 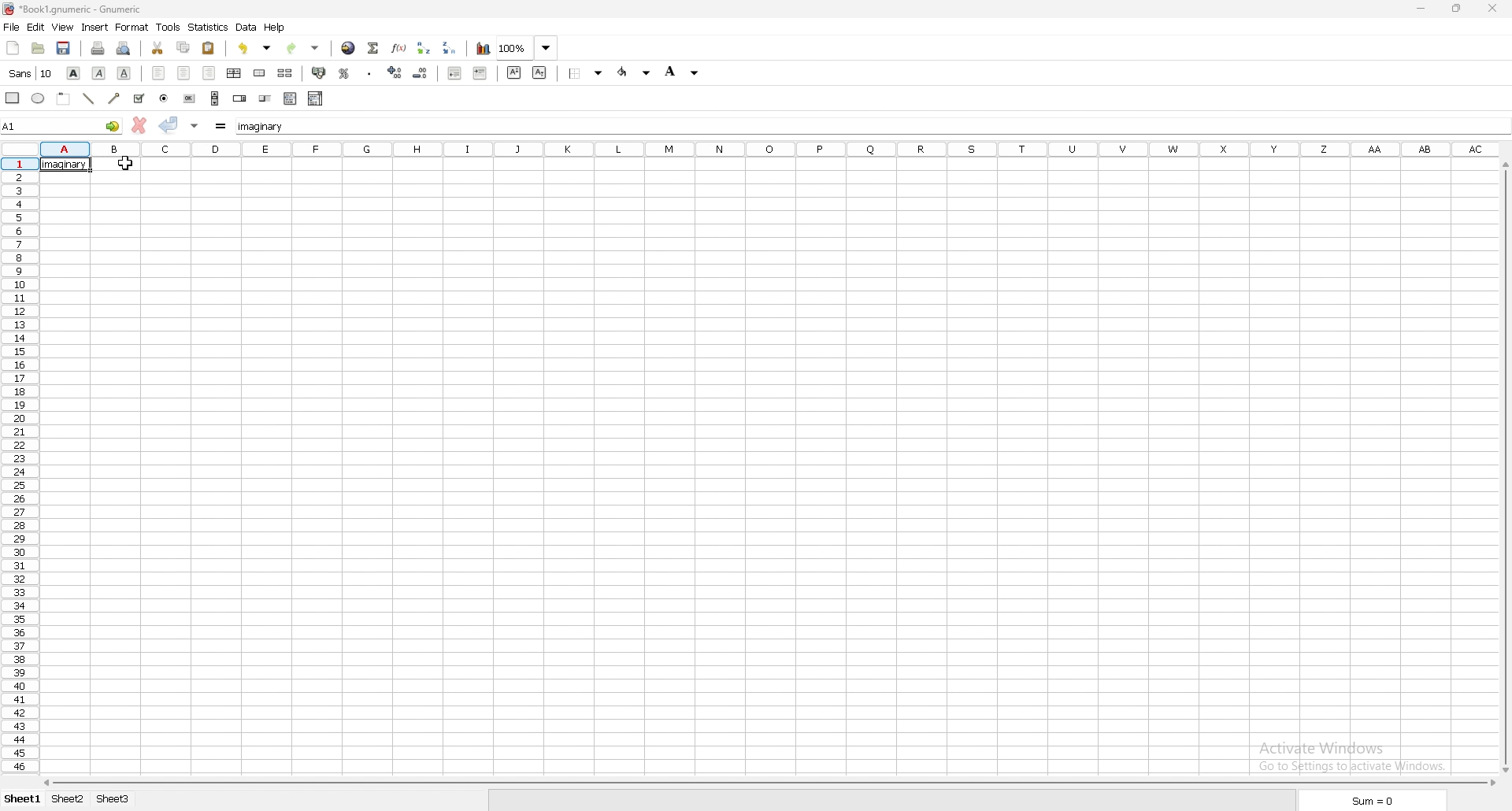 I want to click on print preview, so click(x=124, y=48).